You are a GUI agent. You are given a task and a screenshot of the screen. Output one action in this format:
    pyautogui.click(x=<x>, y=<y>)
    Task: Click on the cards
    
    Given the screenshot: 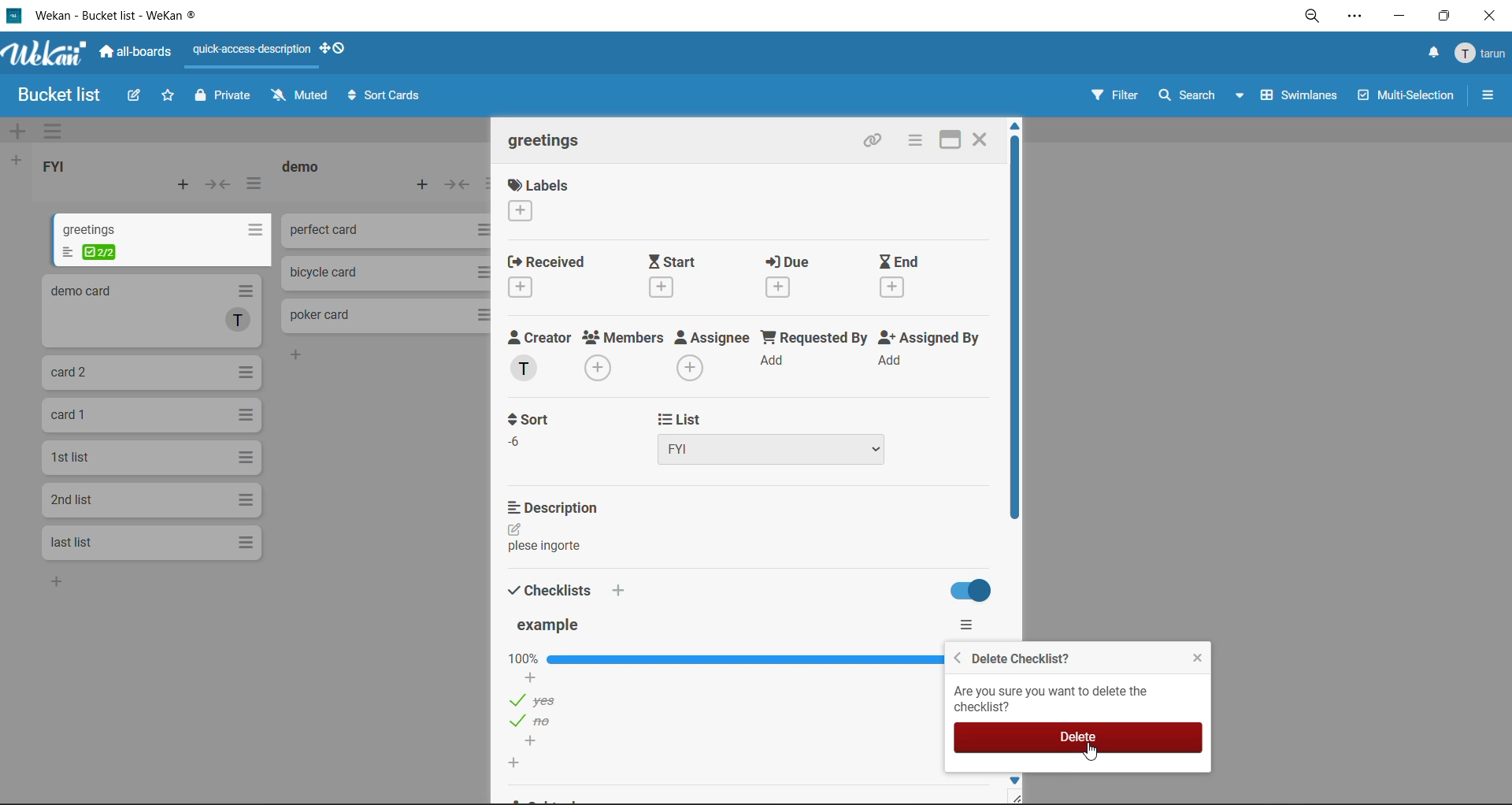 What is the action you would take?
    pyautogui.click(x=152, y=461)
    